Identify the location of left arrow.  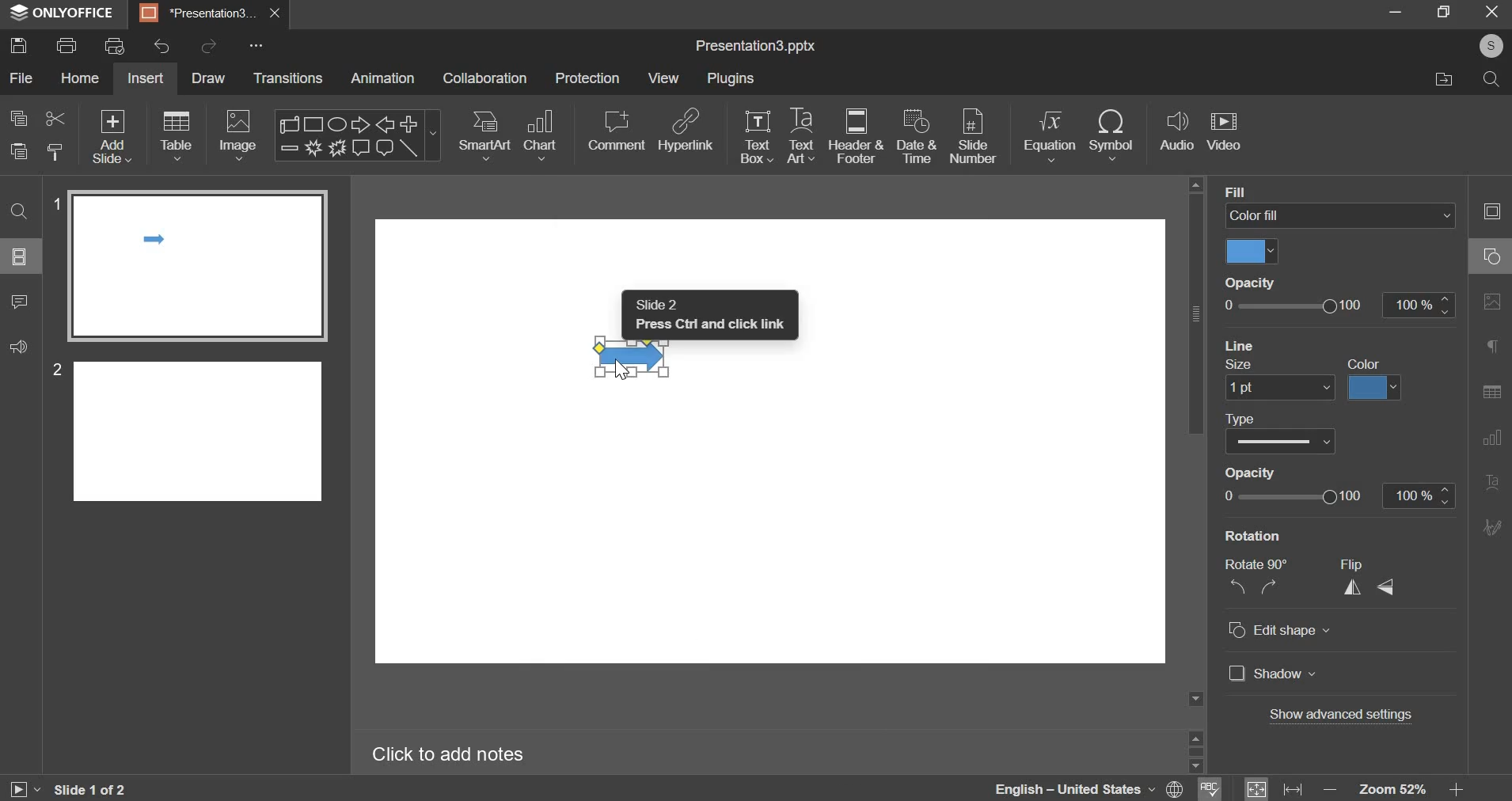
(385, 124).